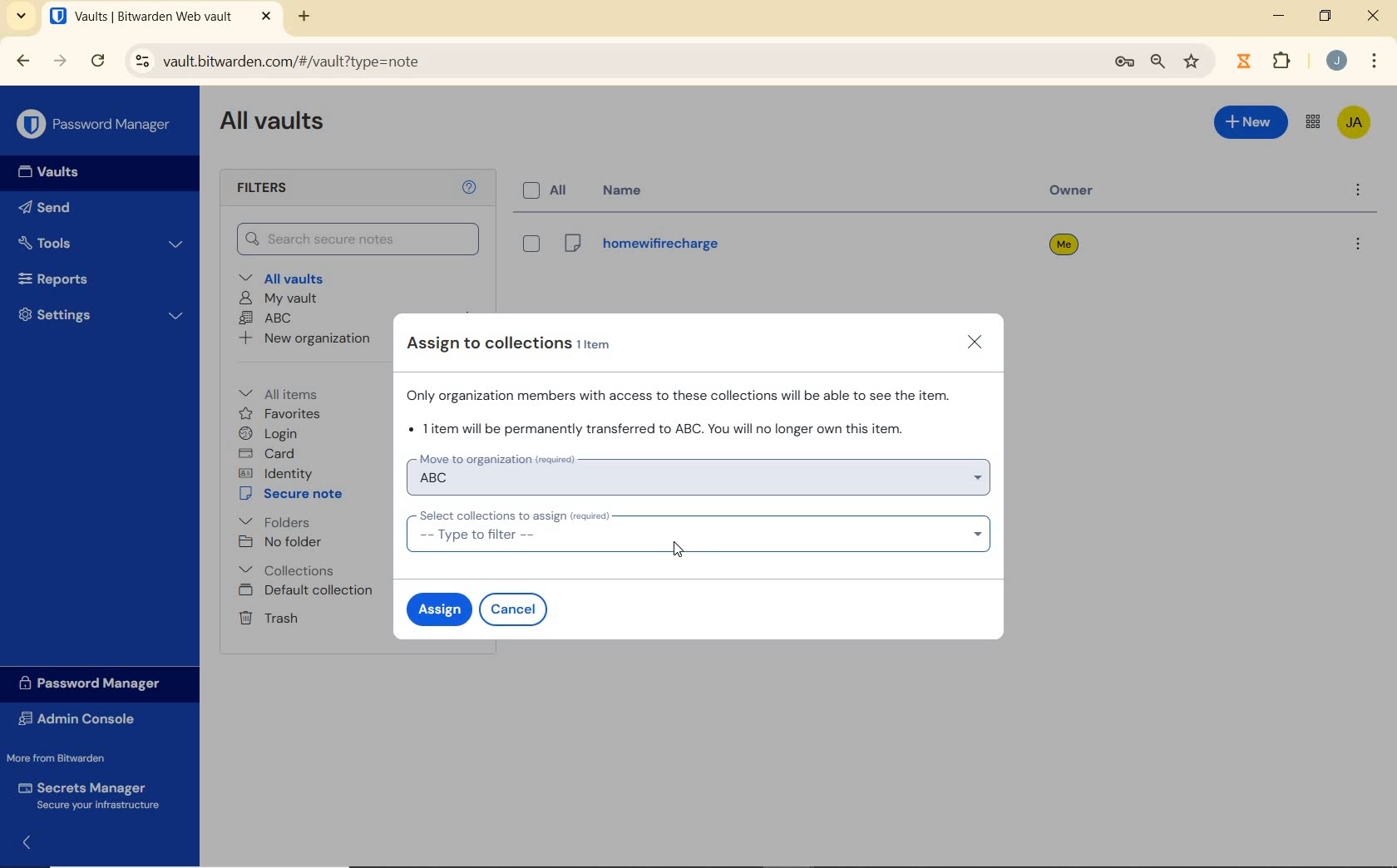 This screenshot has height=868, width=1397. I want to click on Bitwarden Account, so click(1355, 124).